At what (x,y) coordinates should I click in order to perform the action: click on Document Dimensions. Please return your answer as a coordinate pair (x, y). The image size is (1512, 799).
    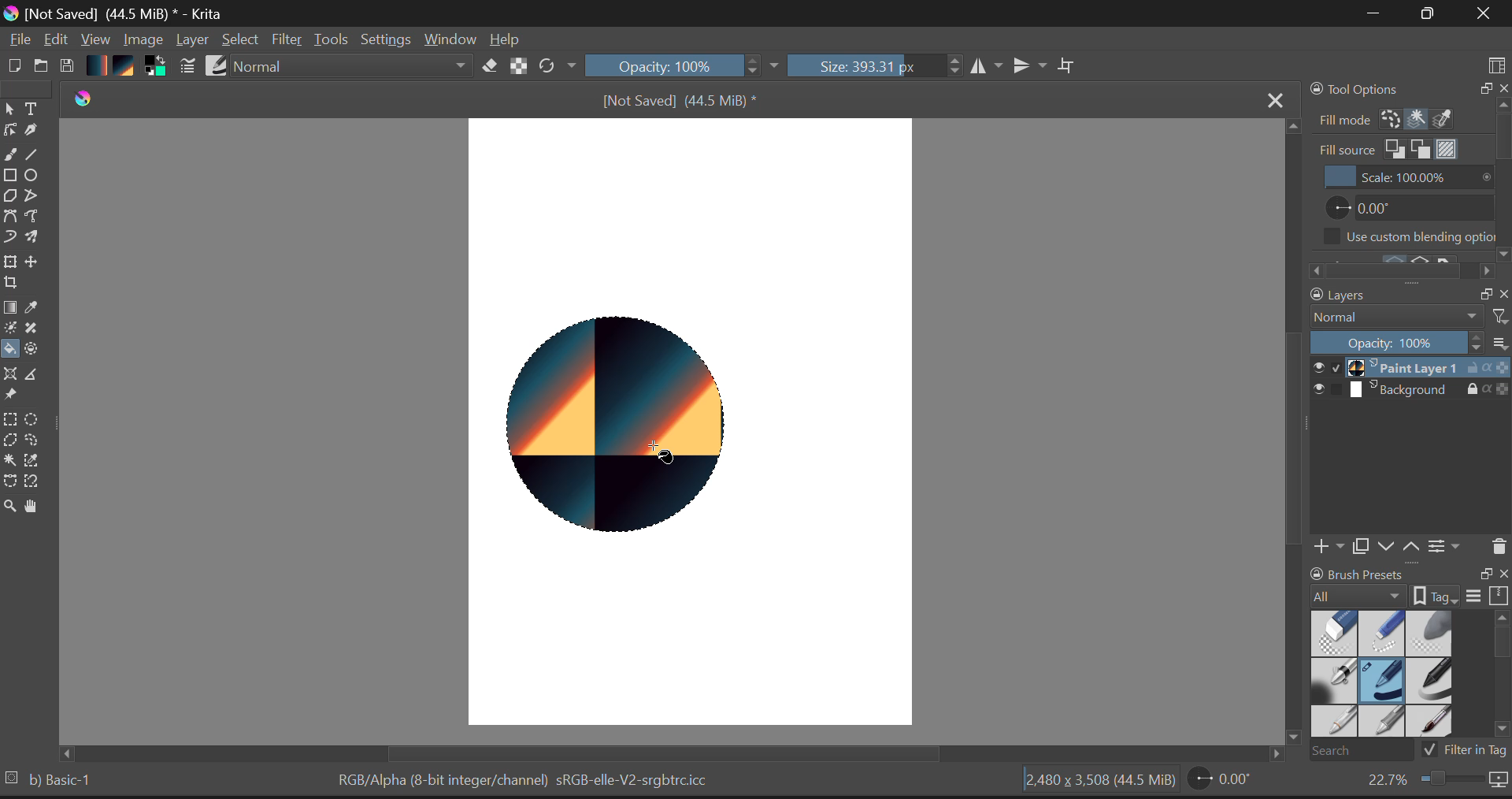
    Looking at the image, I should click on (1097, 782).